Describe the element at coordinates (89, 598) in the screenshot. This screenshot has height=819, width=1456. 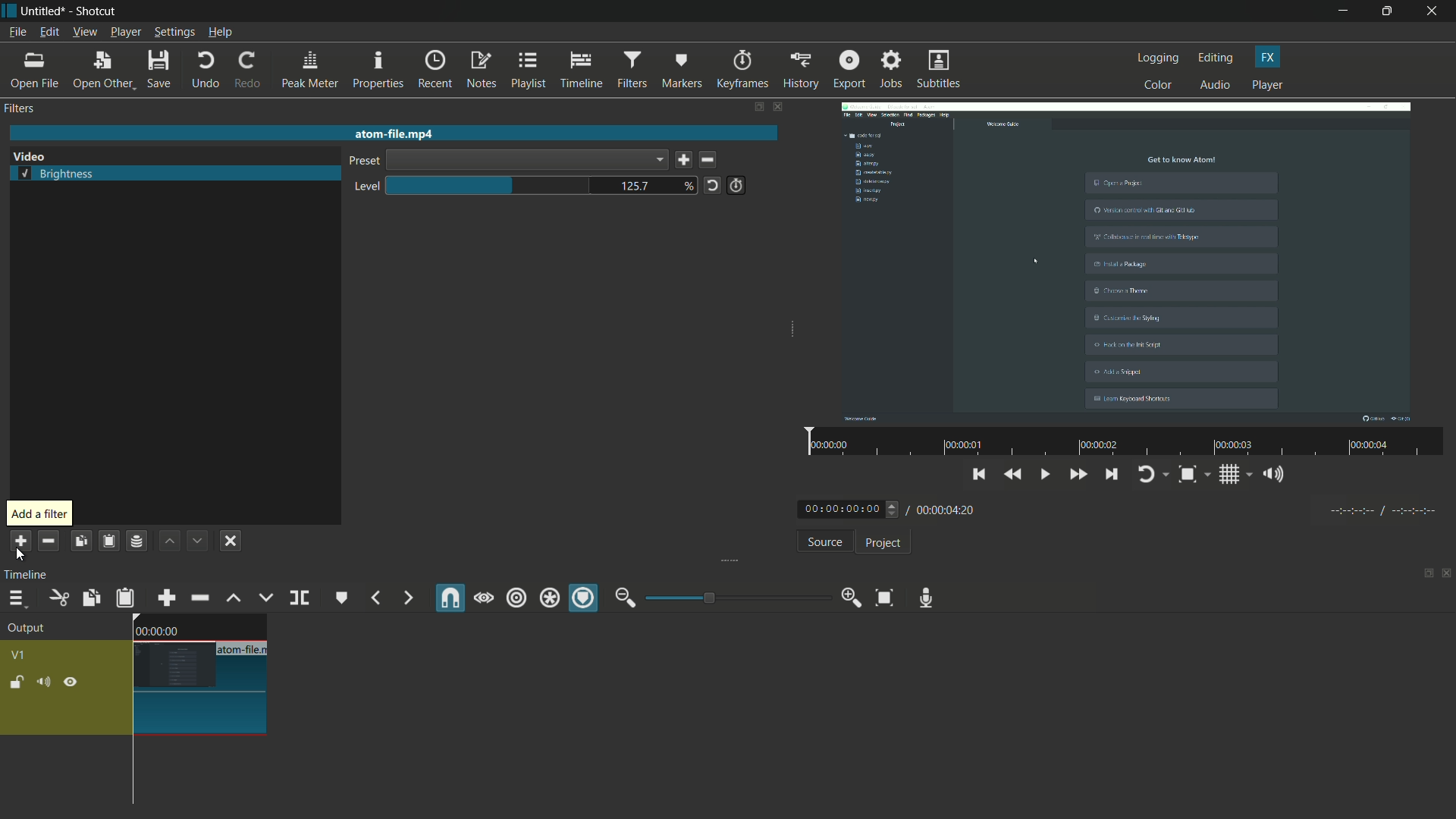
I see `copy` at that location.